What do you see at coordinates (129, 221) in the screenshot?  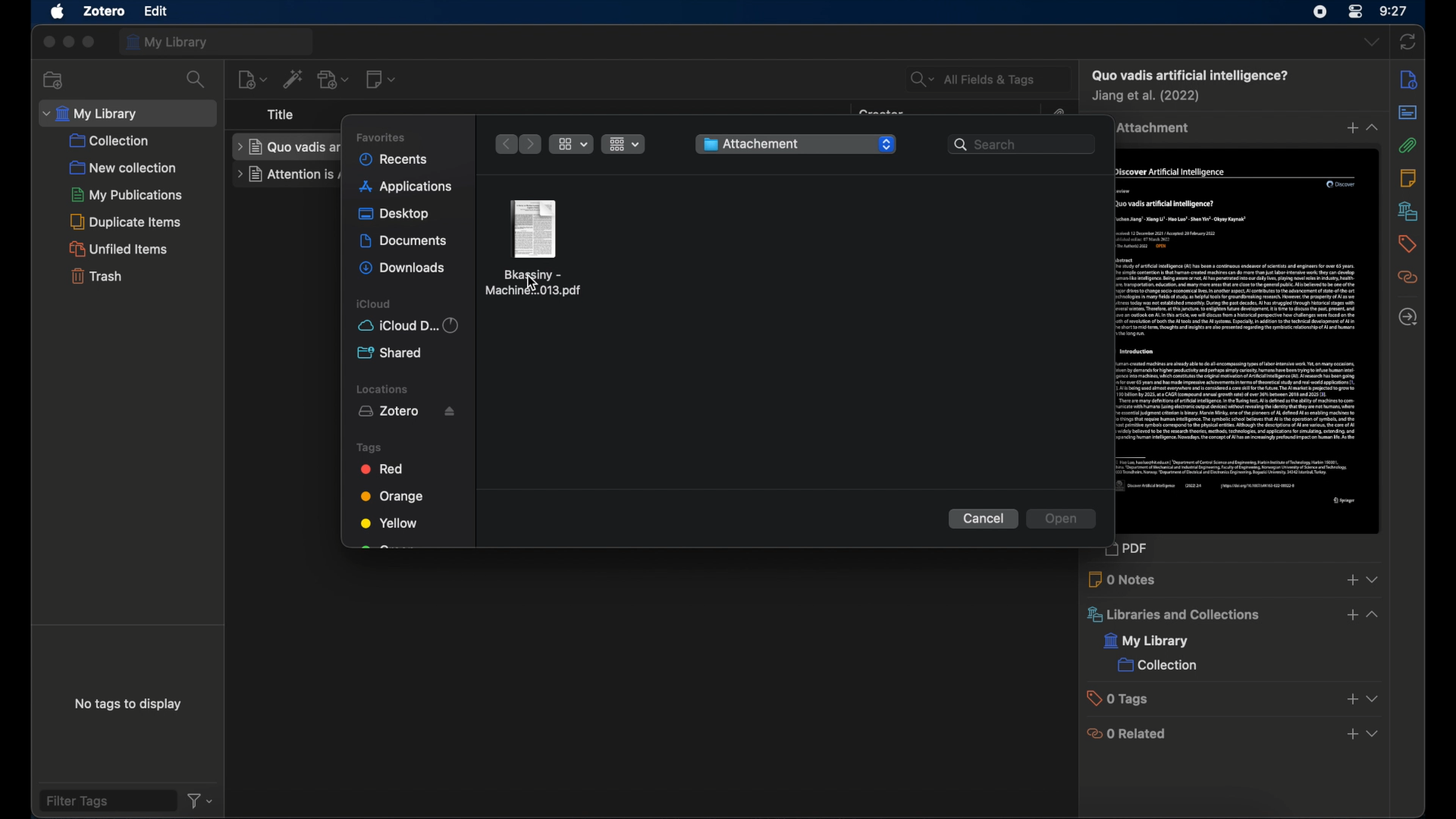 I see `duplicate items` at bounding box center [129, 221].